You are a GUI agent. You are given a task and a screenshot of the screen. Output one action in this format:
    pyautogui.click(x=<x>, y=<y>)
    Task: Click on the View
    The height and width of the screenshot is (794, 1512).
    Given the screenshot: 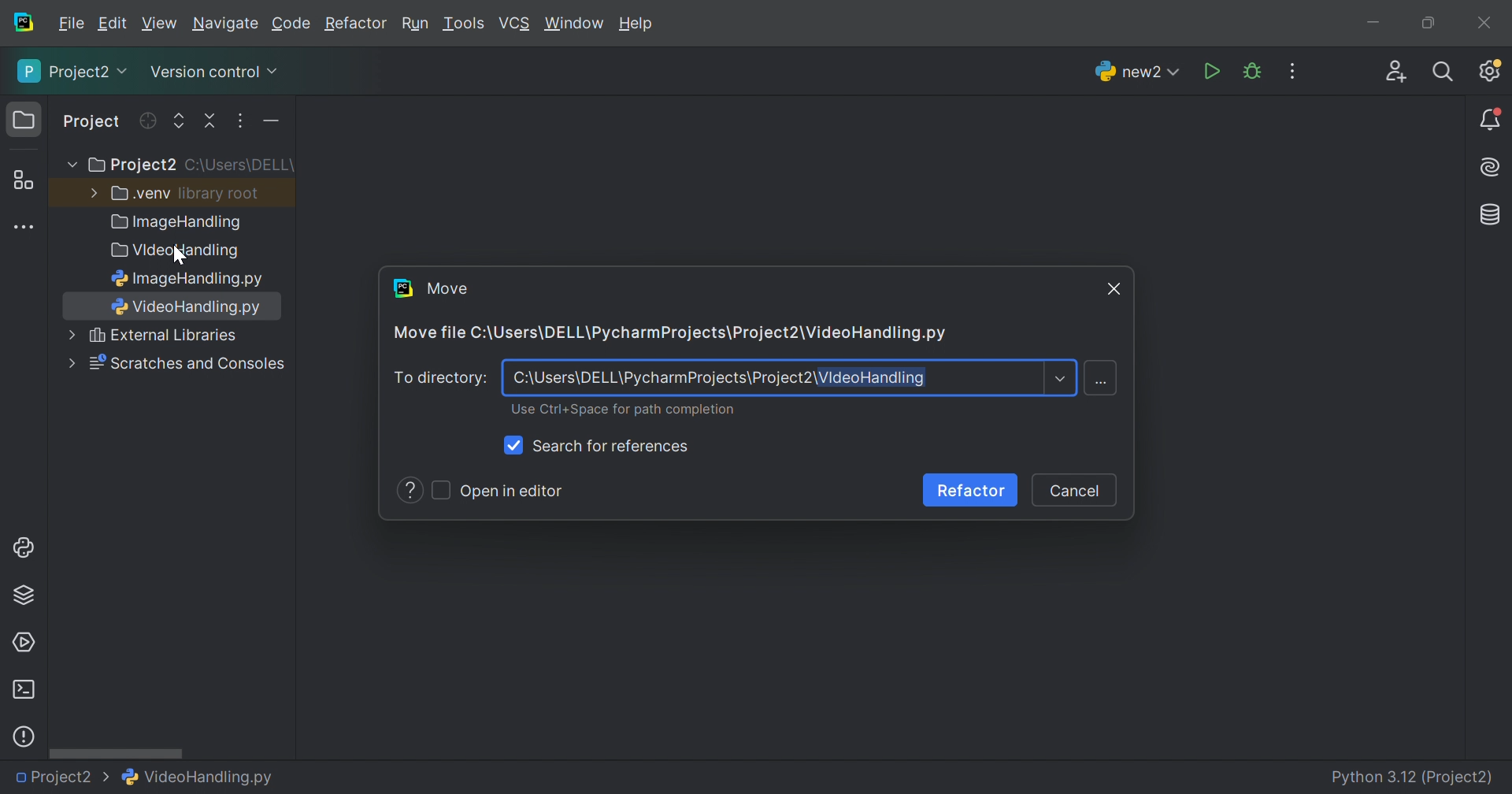 What is the action you would take?
    pyautogui.click(x=161, y=24)
    